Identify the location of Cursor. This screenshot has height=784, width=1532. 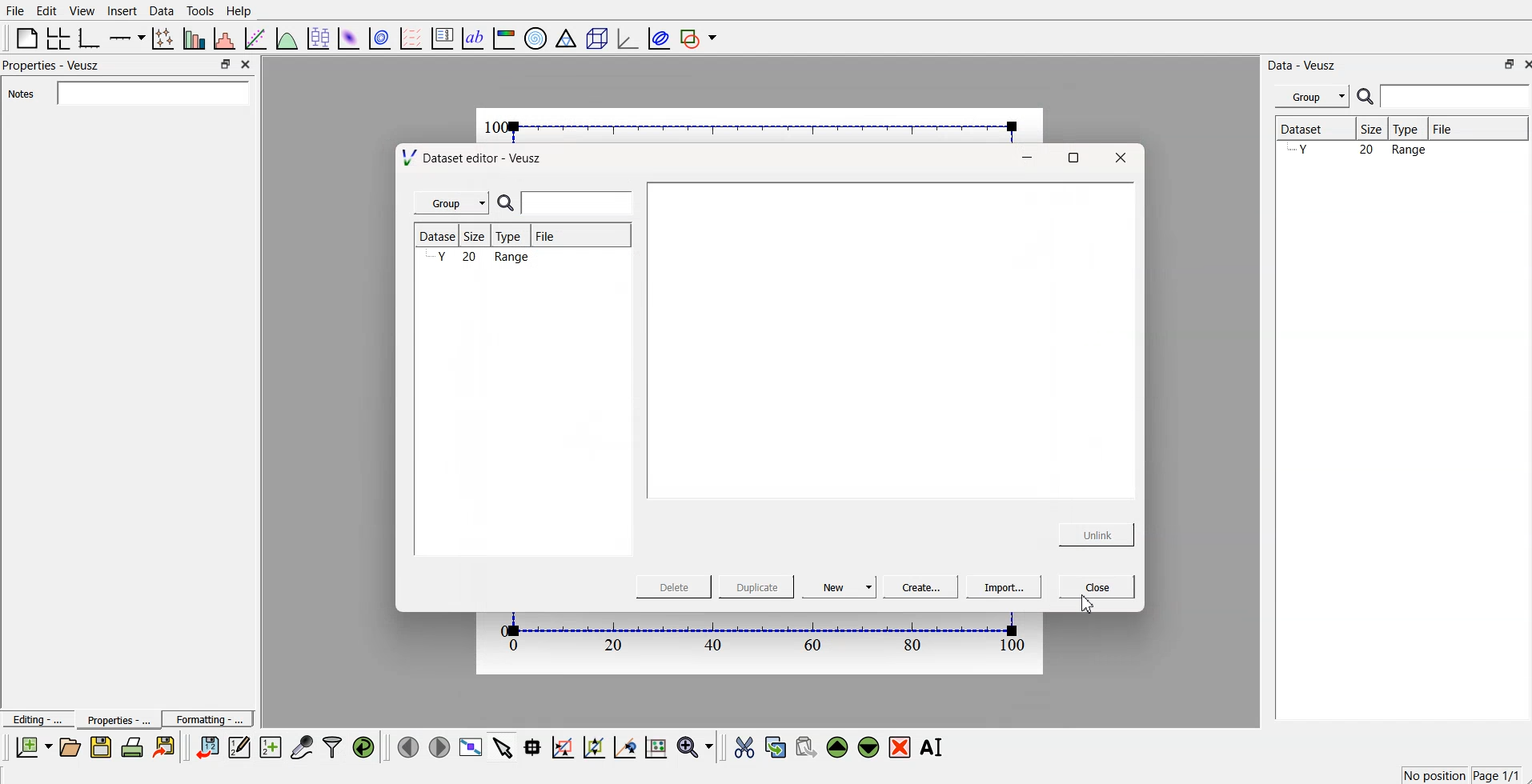
(1086, 603).